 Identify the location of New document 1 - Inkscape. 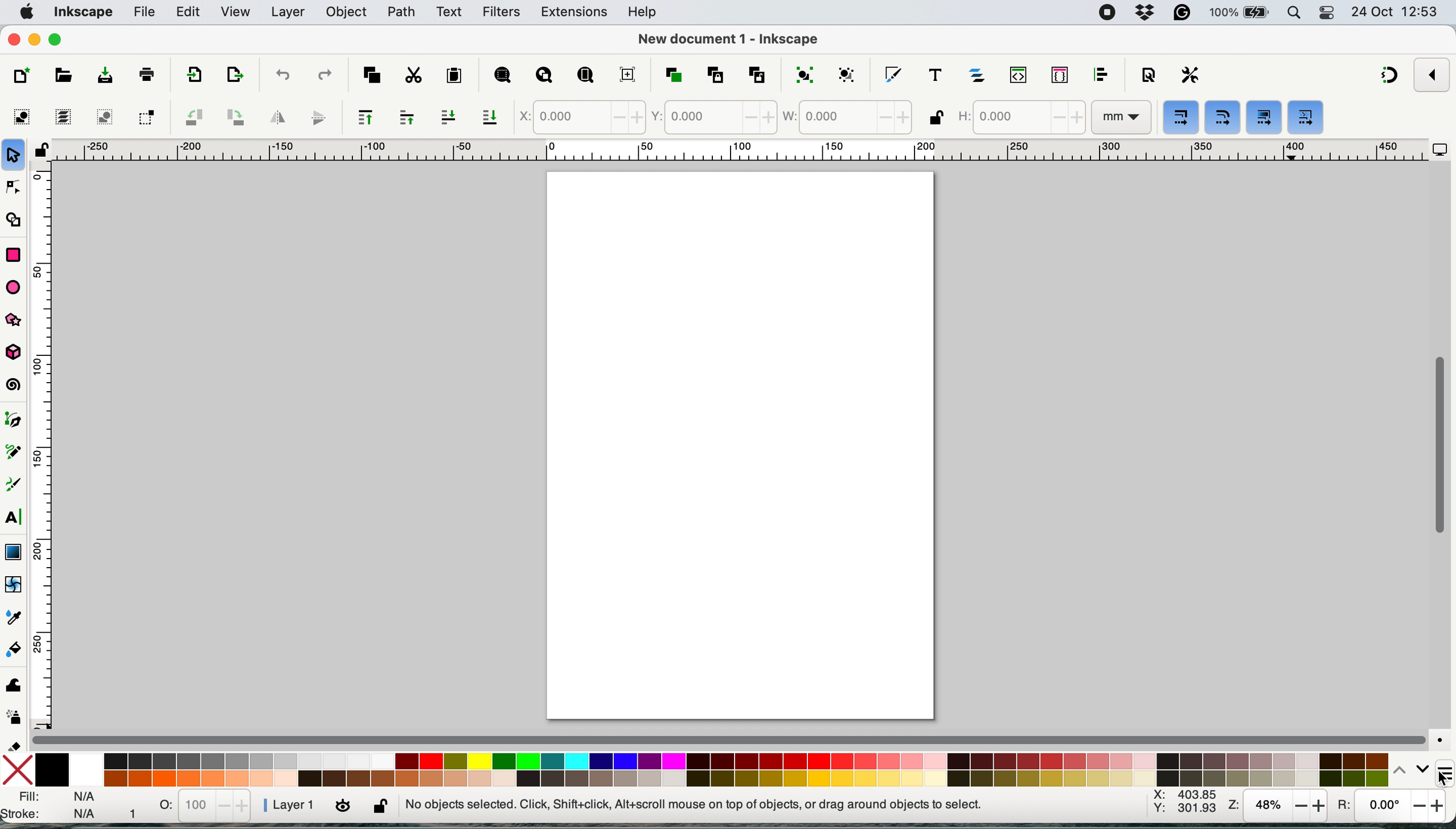
(734, 40).